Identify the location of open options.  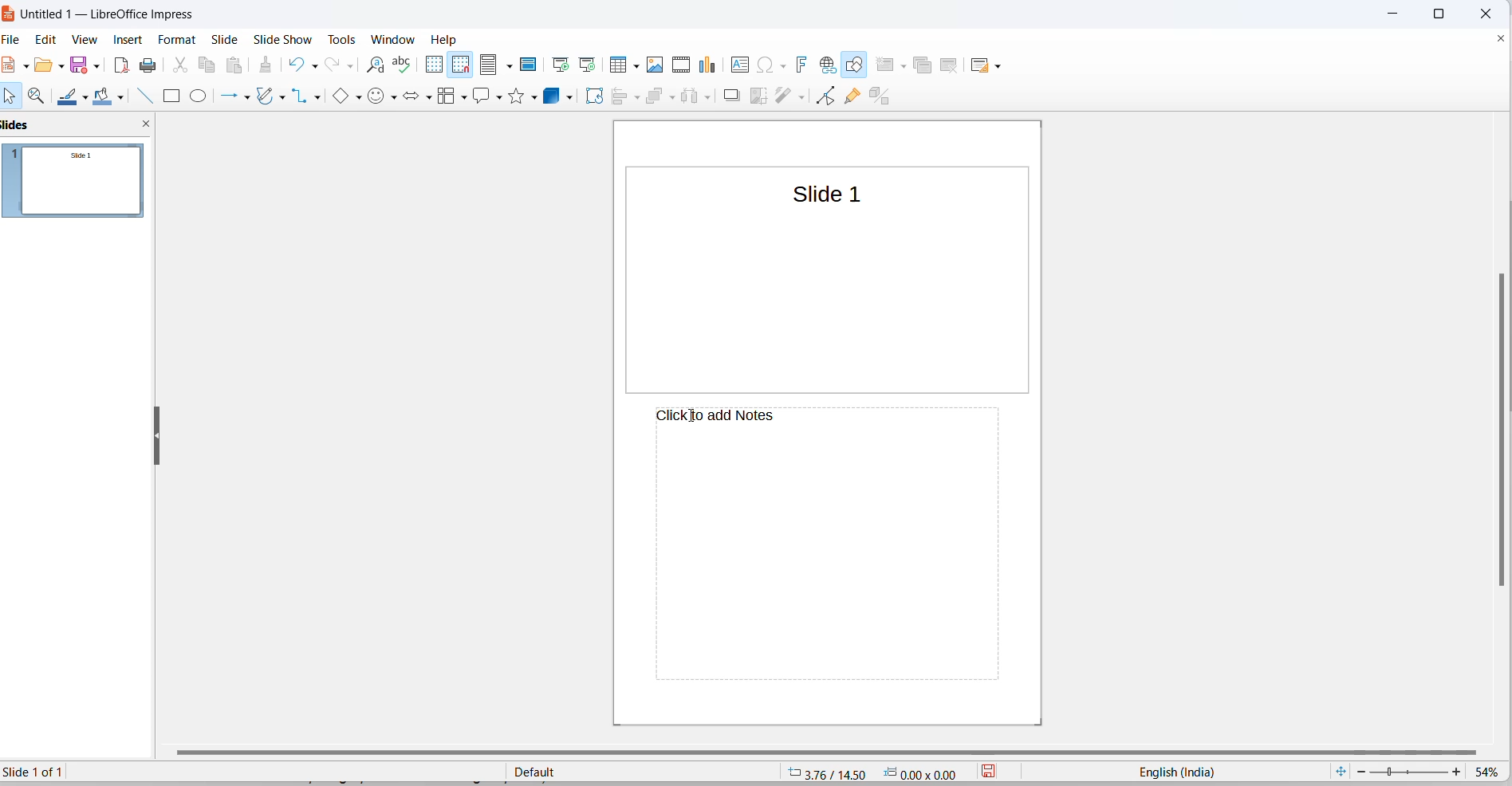
(58, 65).